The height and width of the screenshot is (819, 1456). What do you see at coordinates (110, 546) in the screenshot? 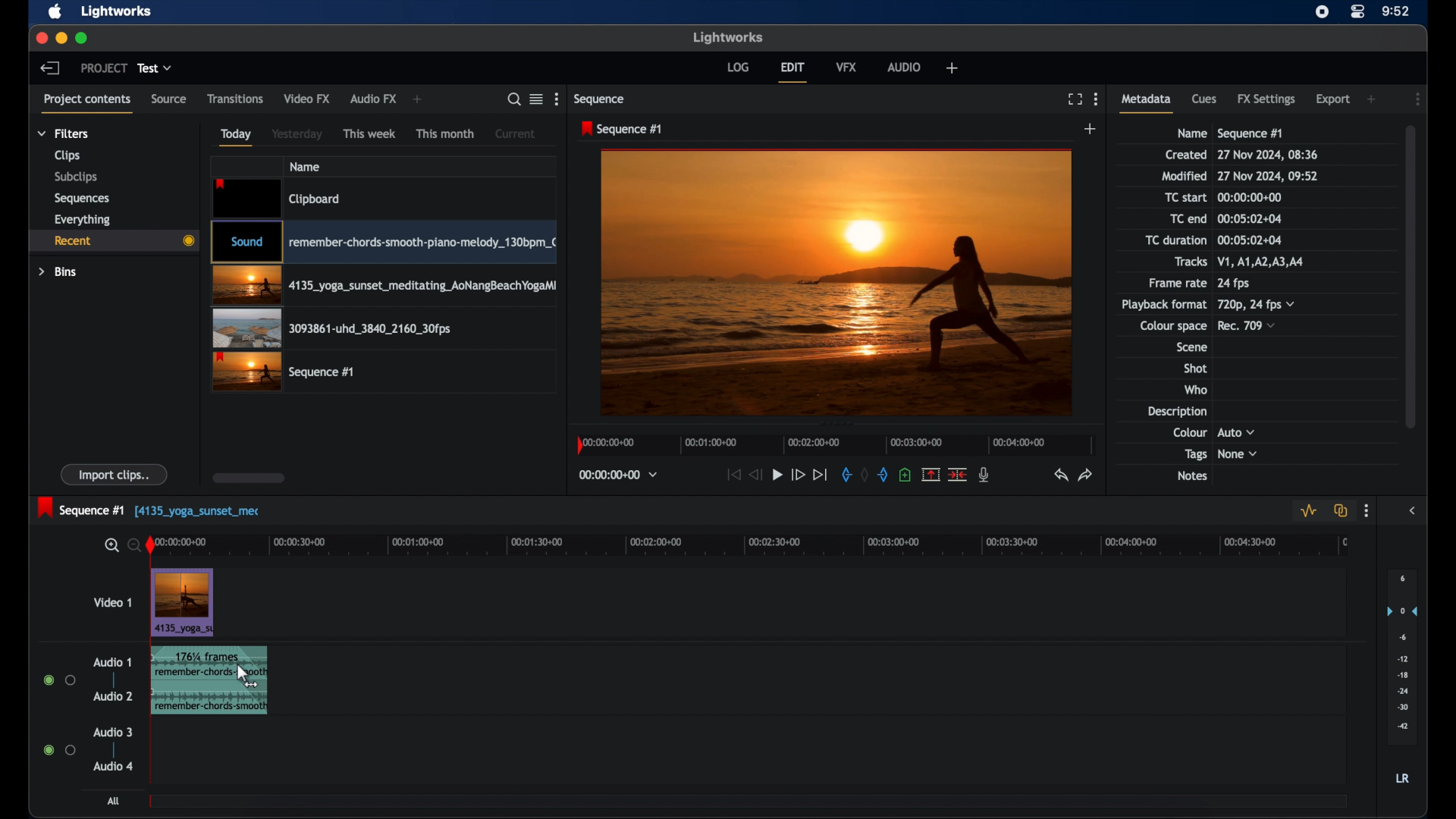
I see `zoom in` at bounding box center [110, 546].